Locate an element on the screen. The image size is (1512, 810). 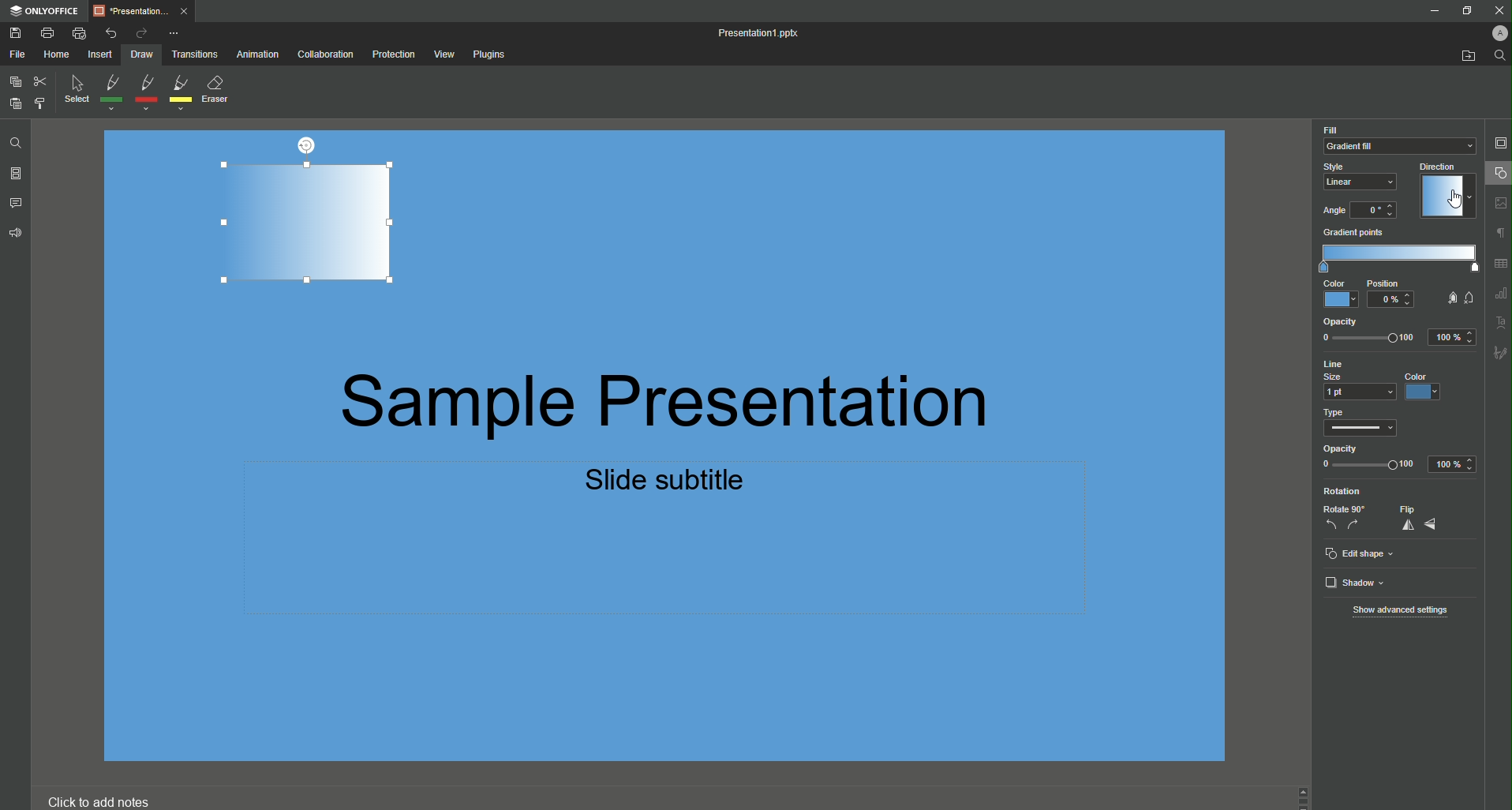
Style is located at coordinates (1357, 176).